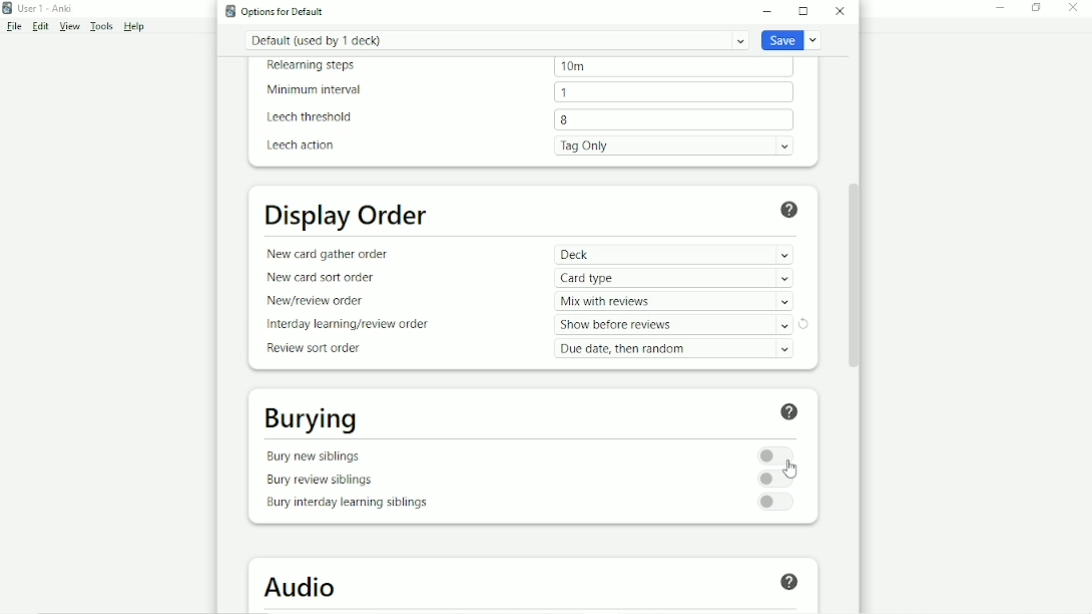  Describe the element at coordinates (674, 302) in the screenshot. I see `Mix with reviews` at that location.